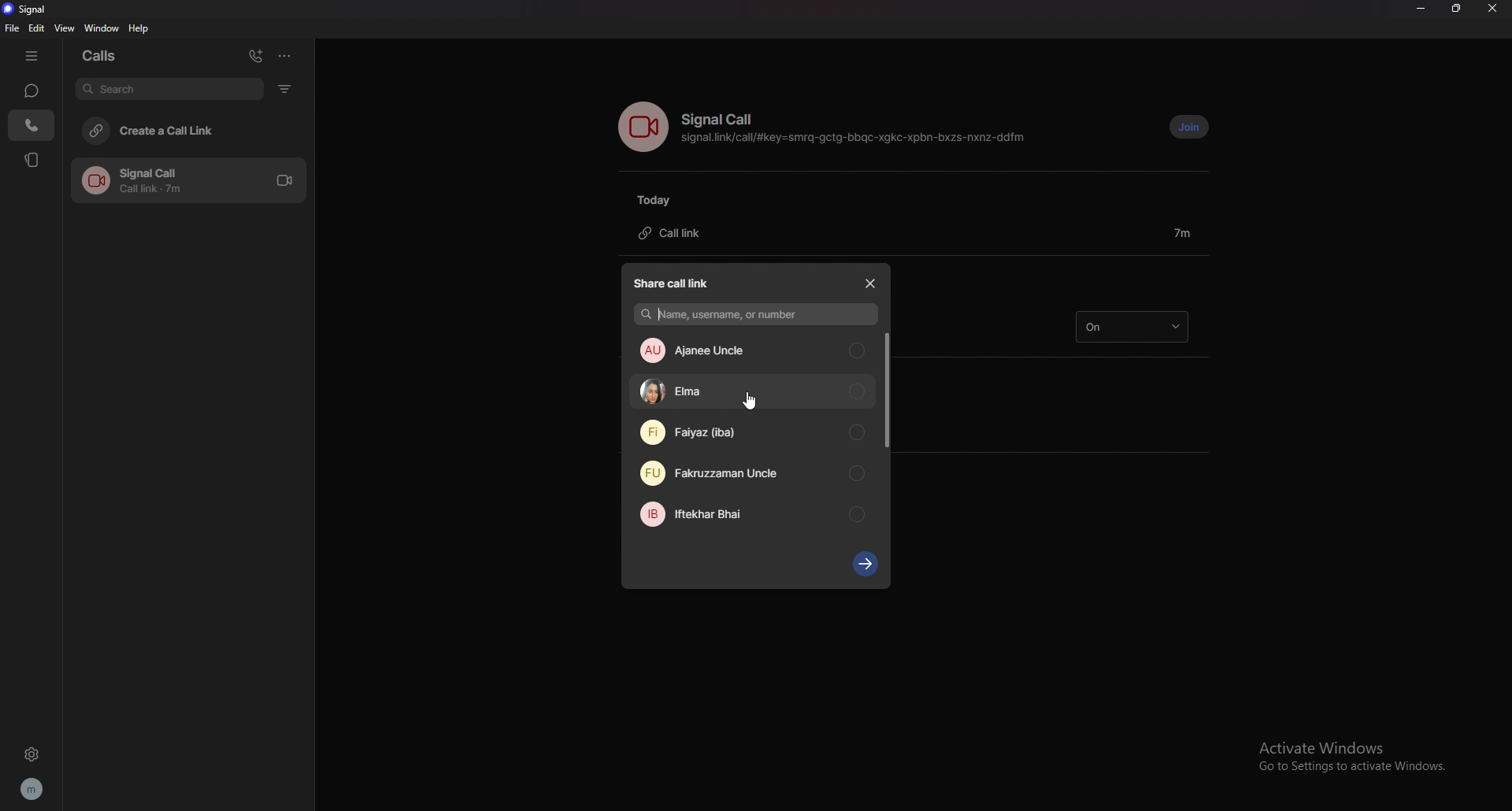 The height and width of the screenshot is (811, 1512). I want to click on contact, so click(753, 432).